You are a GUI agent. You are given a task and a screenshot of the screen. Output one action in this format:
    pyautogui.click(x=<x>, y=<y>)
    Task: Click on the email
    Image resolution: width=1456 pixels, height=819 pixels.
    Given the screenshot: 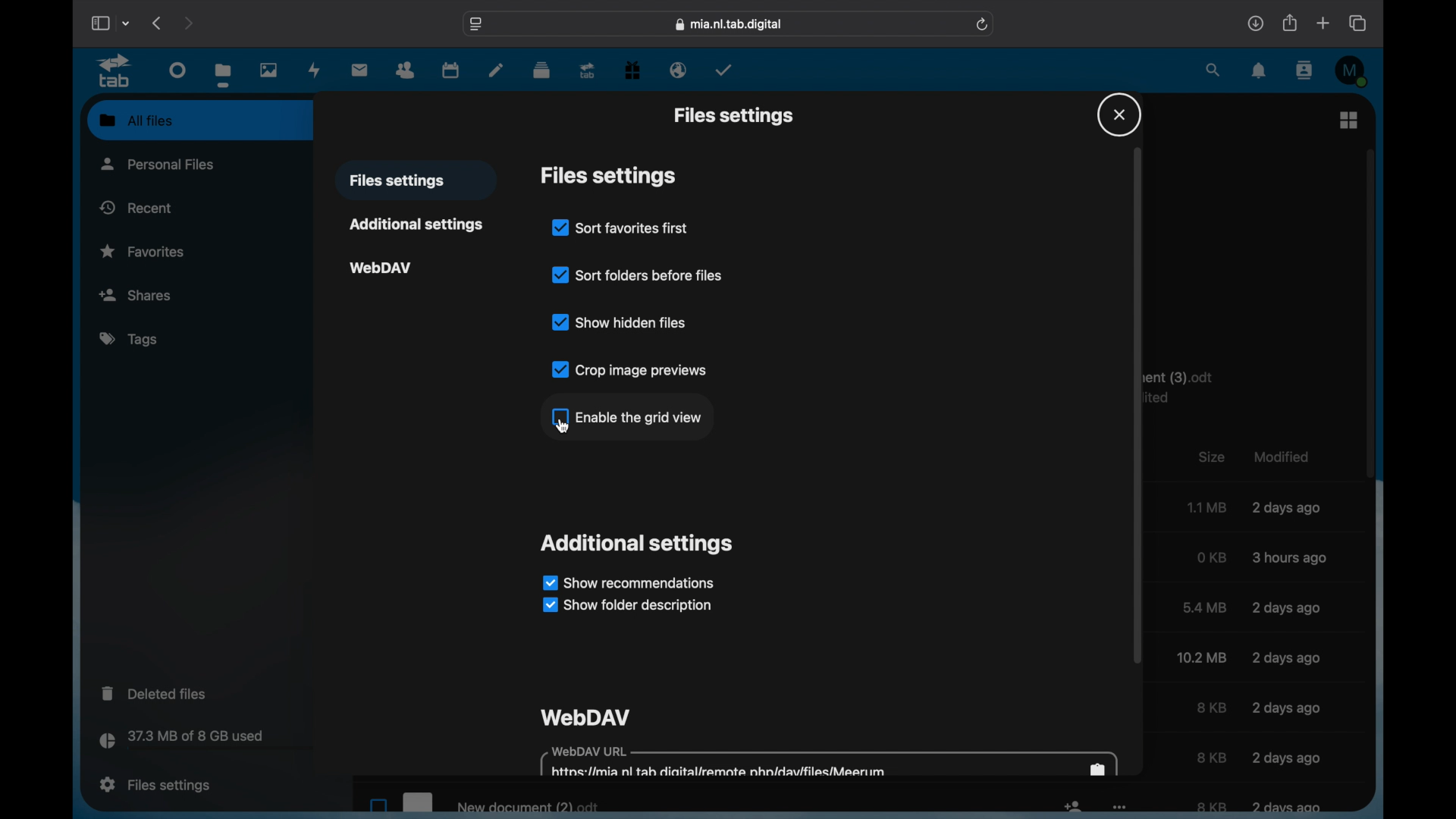 What is the action you would take?
    pyautogui.click(x=678, y=71)
    